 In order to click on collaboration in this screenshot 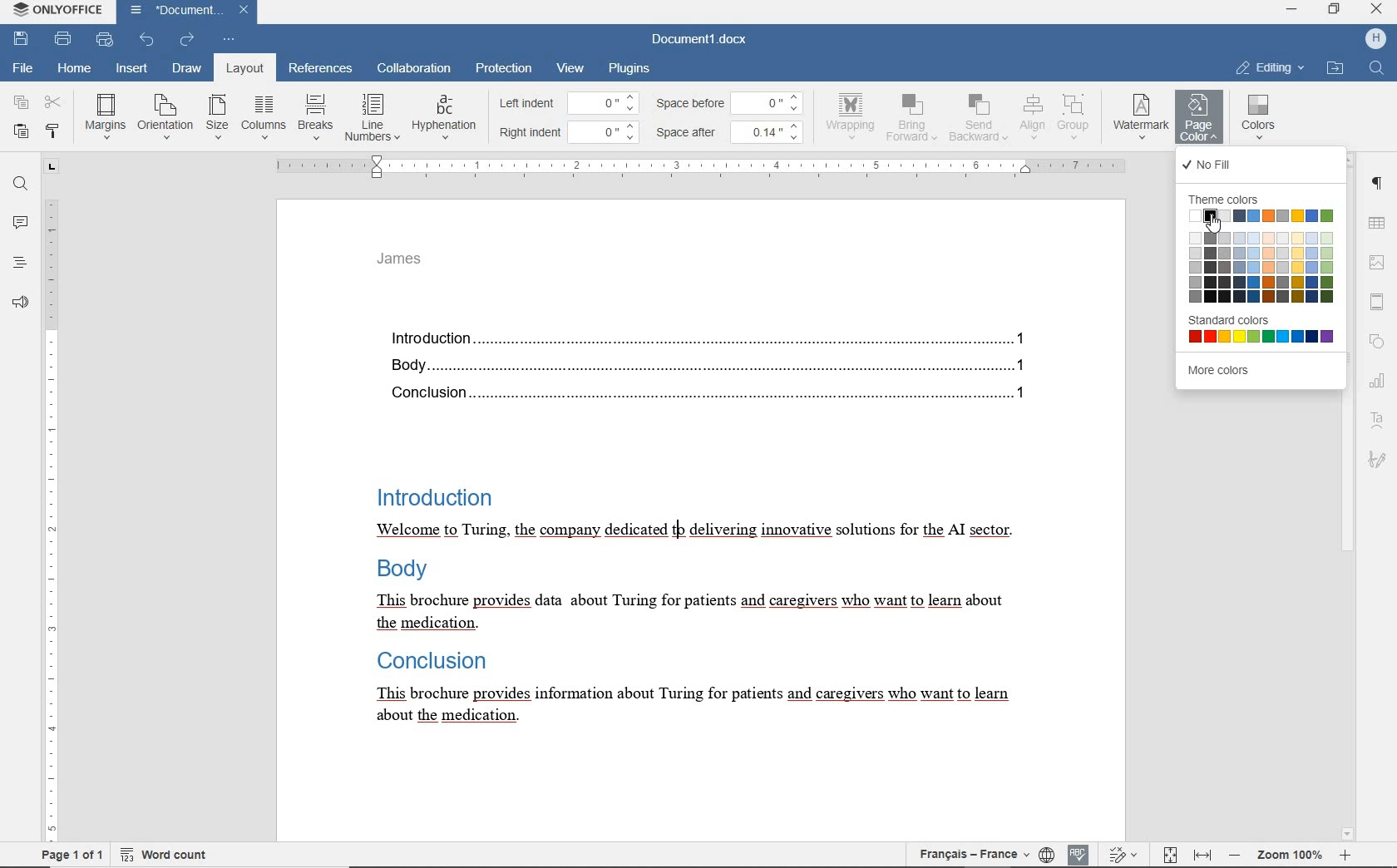, I will do `click(415, 70)`.